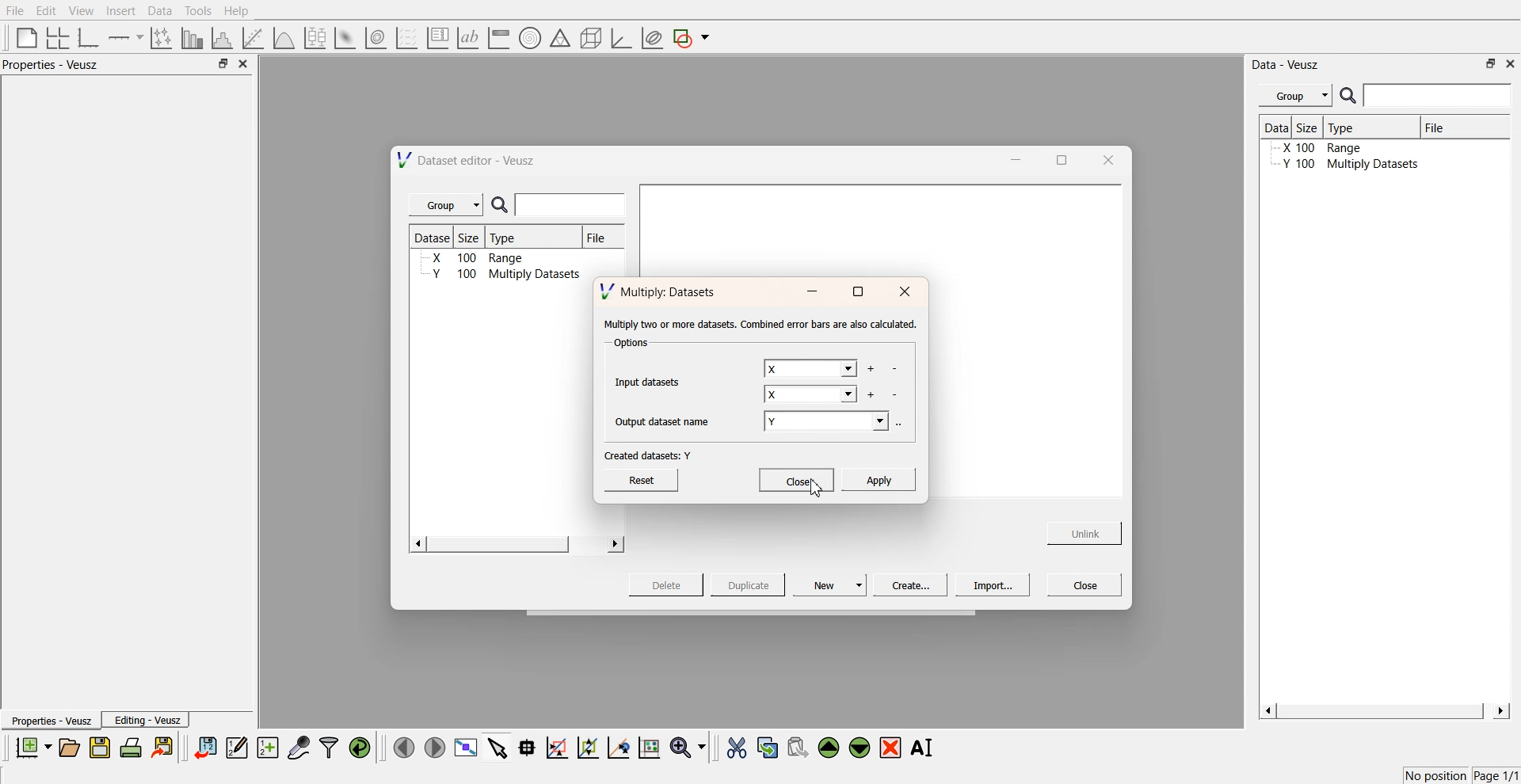 Image resolution: width=1521 pixels, height=784 pixels. What do you see at coordinates (651, 380) in the screenshot?
I see `Input datasets` at bounding box center [651, 380].